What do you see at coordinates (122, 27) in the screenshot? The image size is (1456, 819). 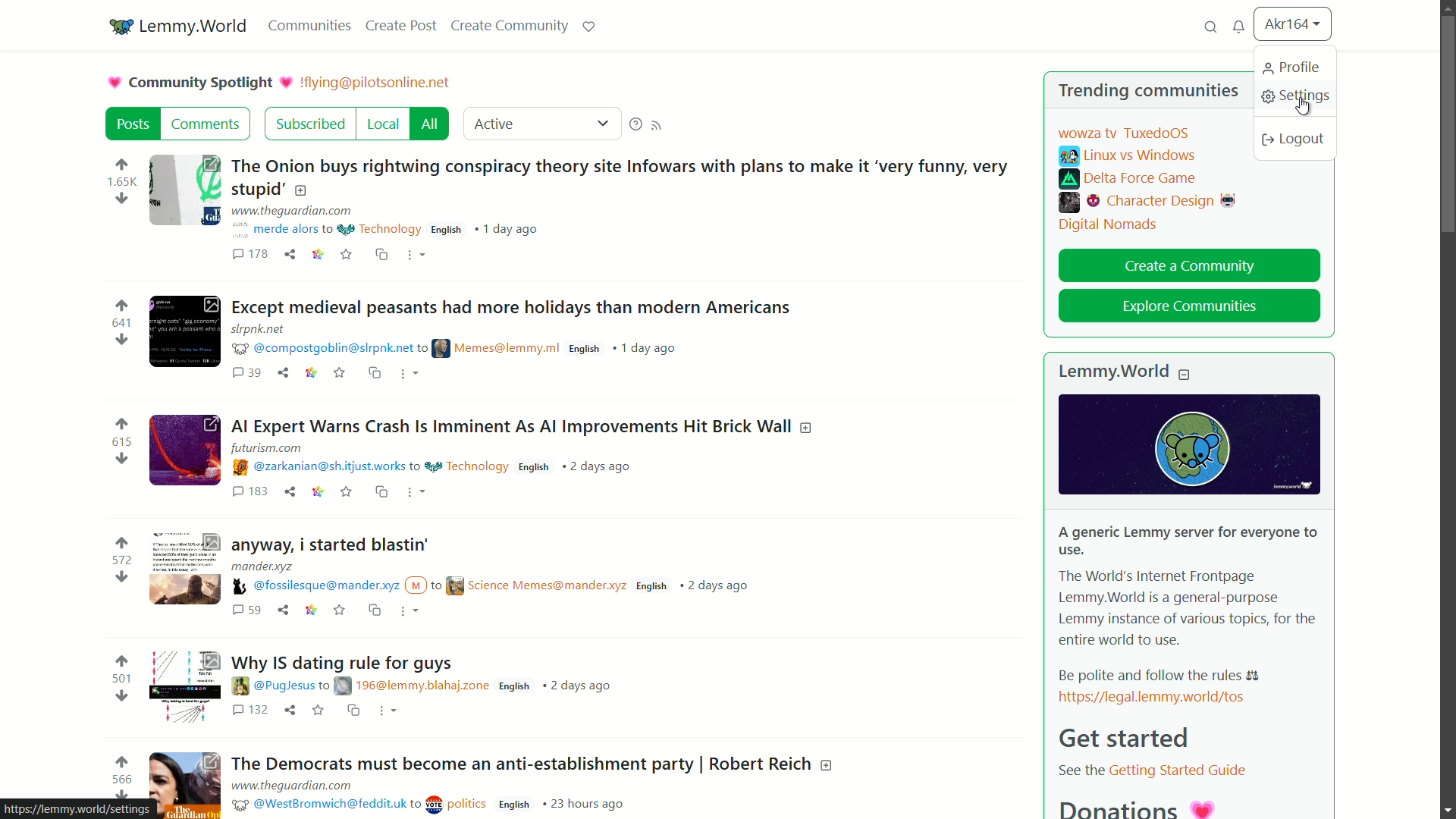 I see `community icon` at bounding box center [122, 27].